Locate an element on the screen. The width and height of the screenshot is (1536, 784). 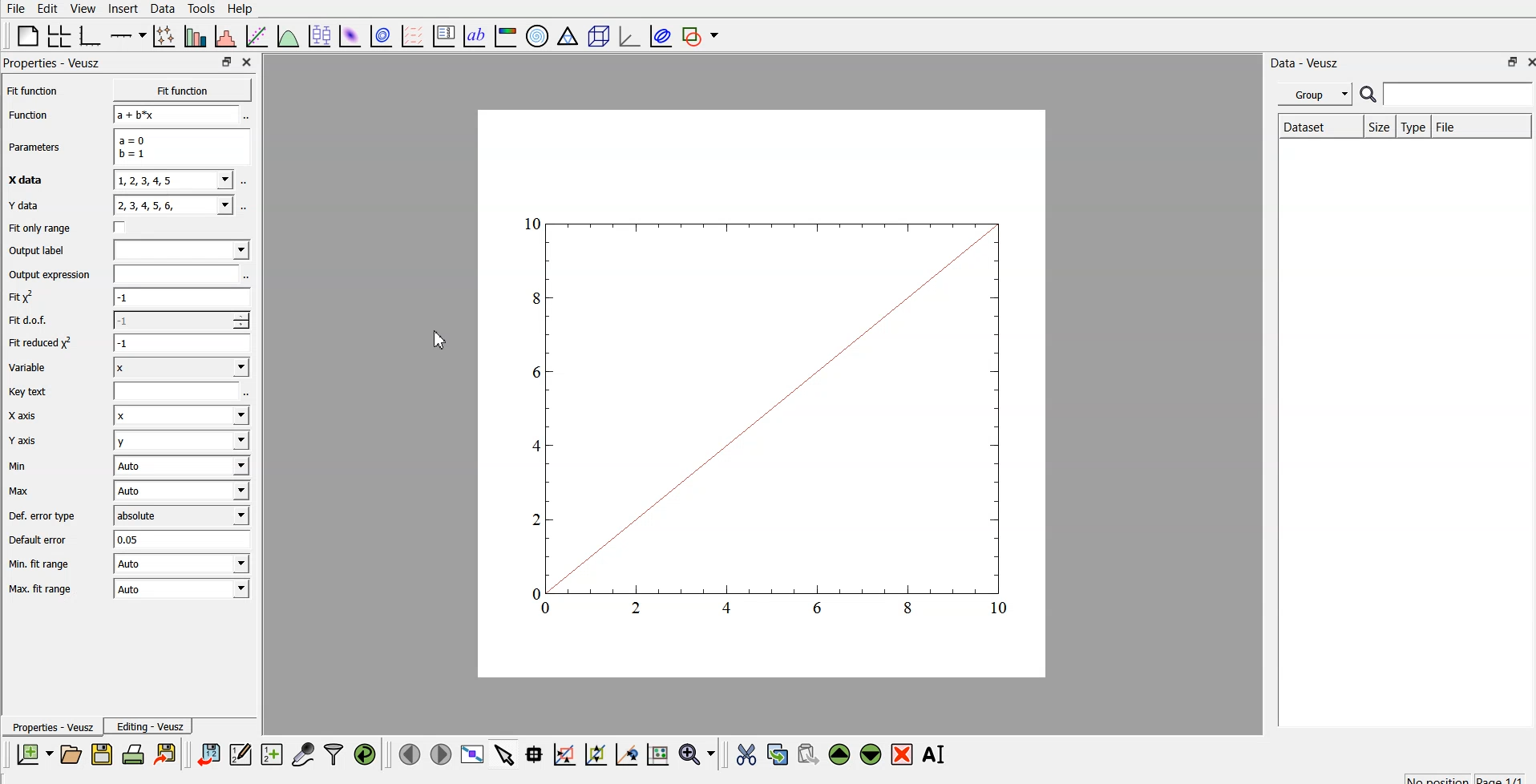
a=0 b=1 is located at coordinates (179, 148).